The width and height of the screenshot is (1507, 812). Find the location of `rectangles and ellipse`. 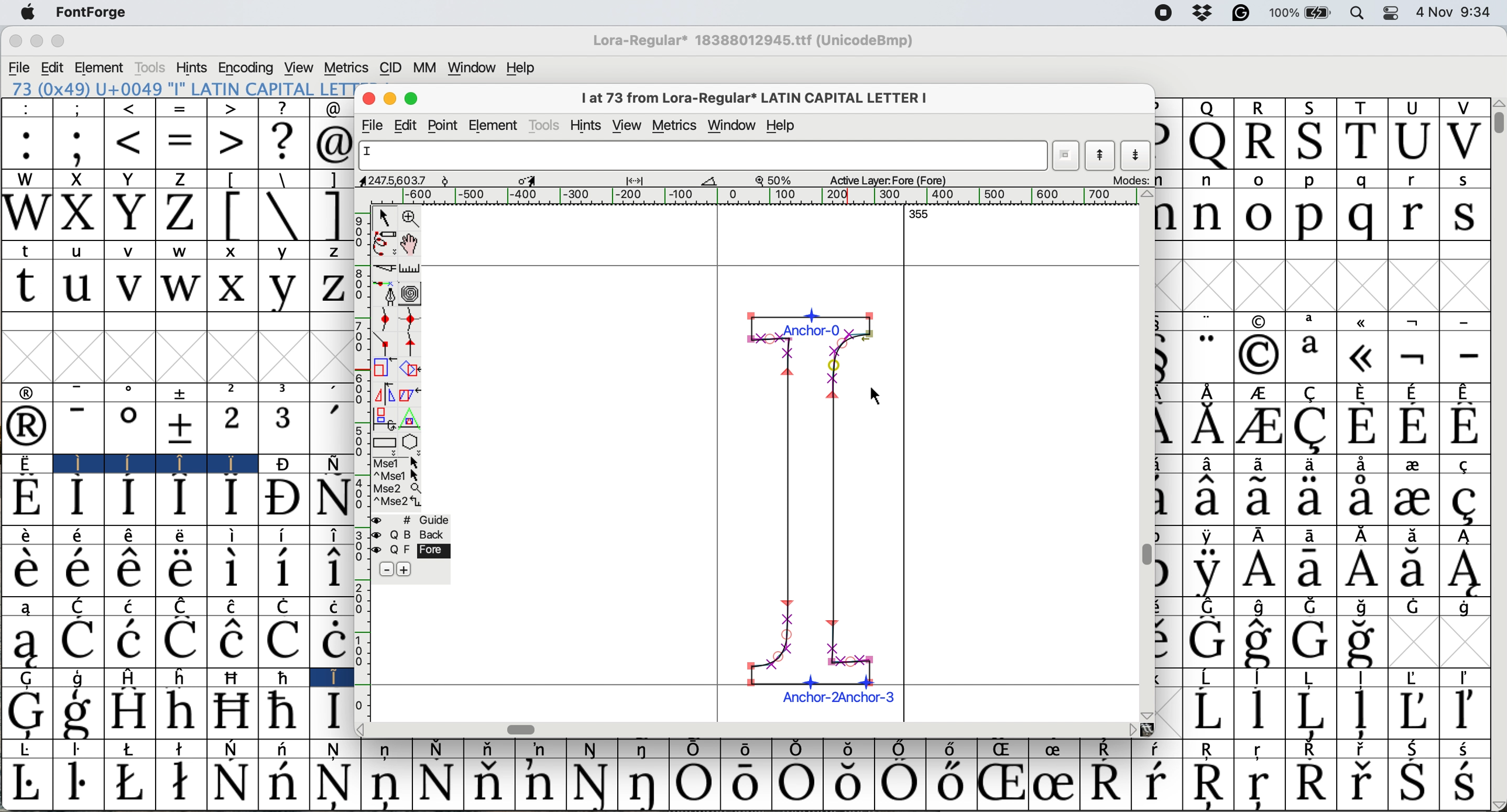

rectangles and ellipse is located at coordinates (385, 441).